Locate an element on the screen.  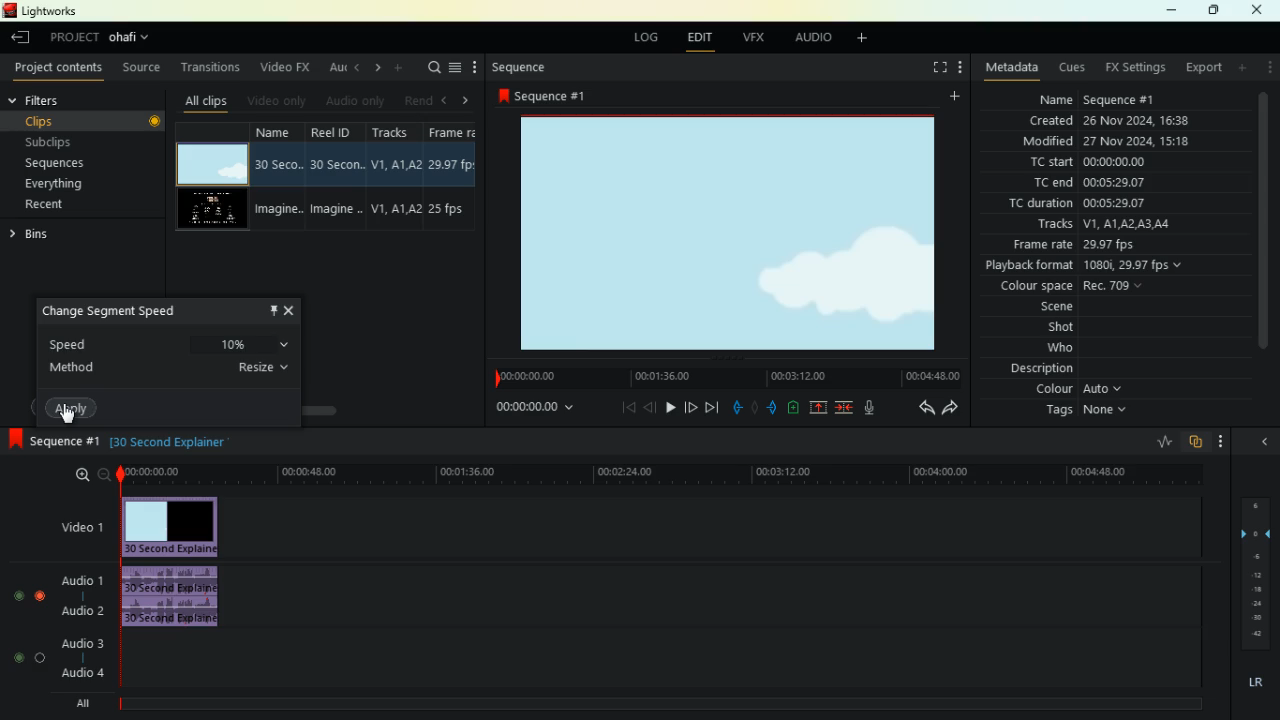
audio is located at coordinates (182, 597).